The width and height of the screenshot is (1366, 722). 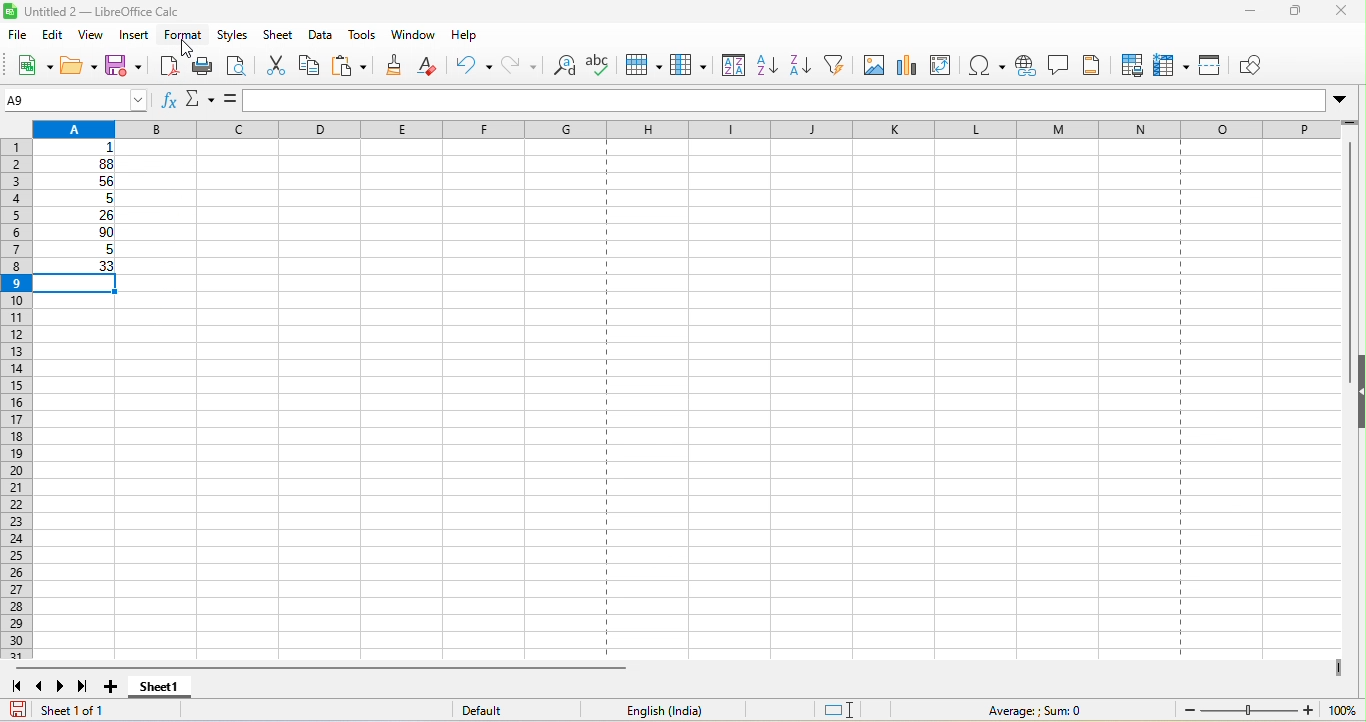 What do you see at coordinates (413, 37) in the screenshot?
I see `window` at bounding box center [413, 37].